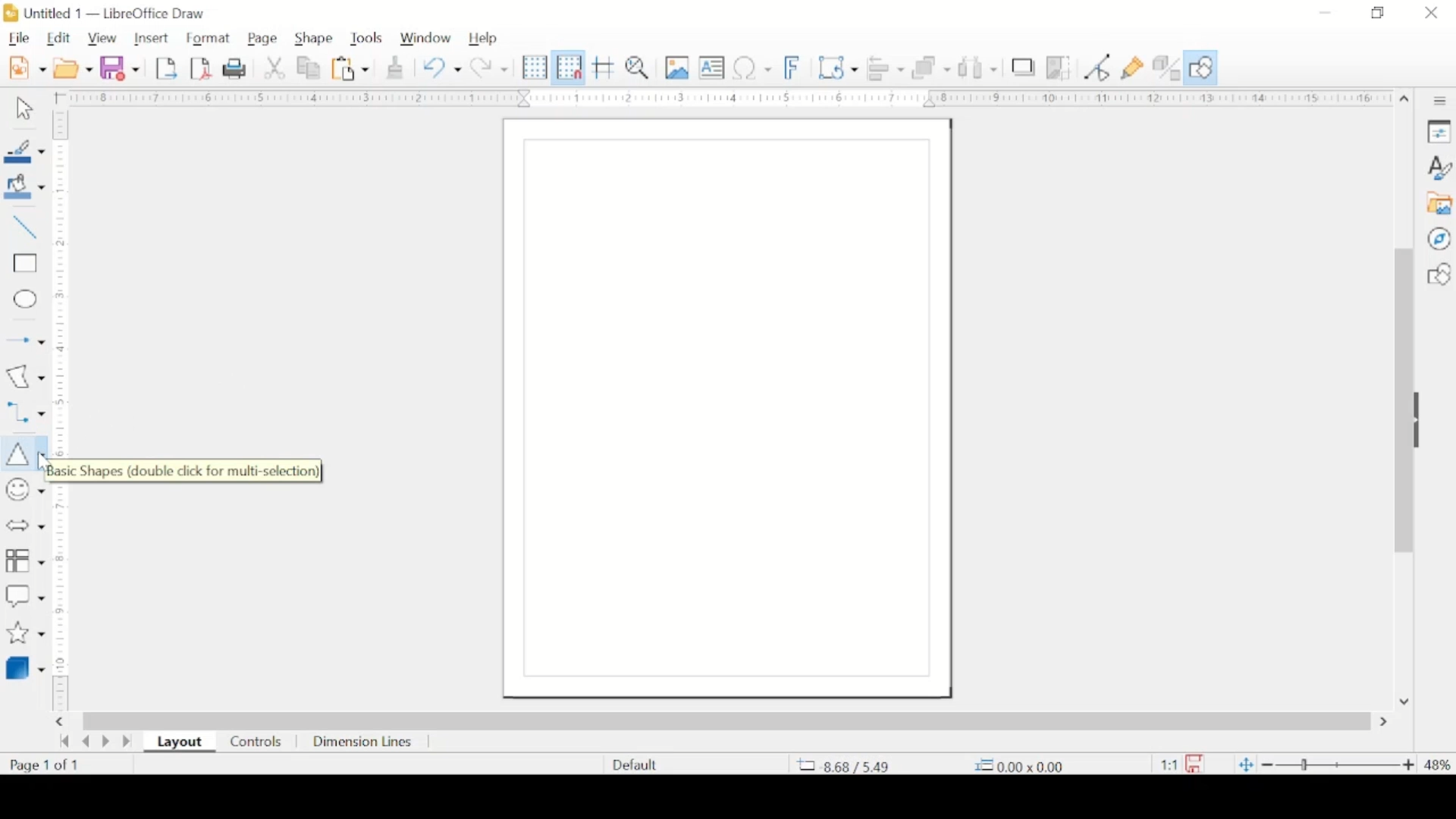 The height and width of the screenshot is (819, 1456). I want to click on properties, so click(1439, 130).